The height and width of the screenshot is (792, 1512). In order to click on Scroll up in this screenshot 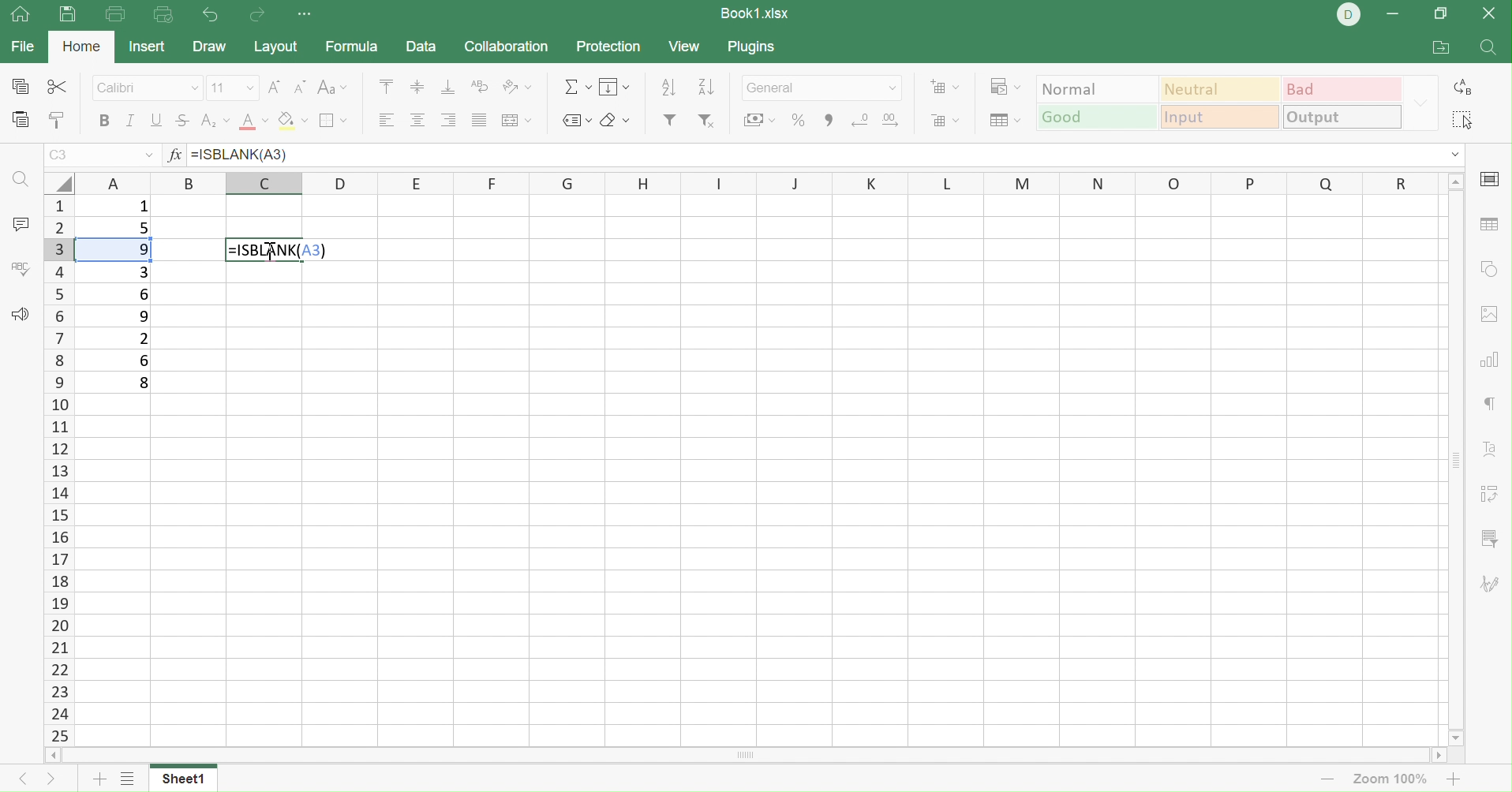, I will do `click(1454, 180)`.